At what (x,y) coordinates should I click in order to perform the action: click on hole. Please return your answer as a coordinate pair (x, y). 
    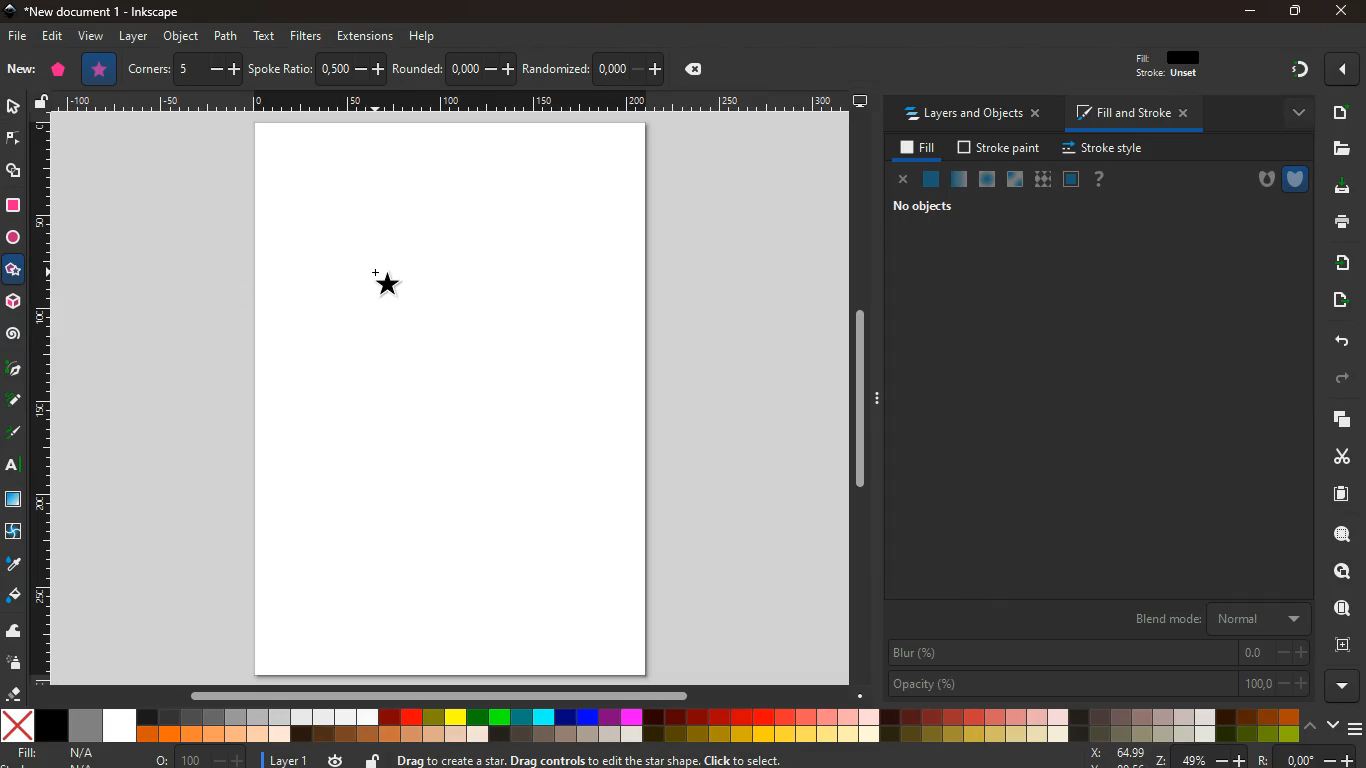
    Looking at the image, I should click on (1259, 180).